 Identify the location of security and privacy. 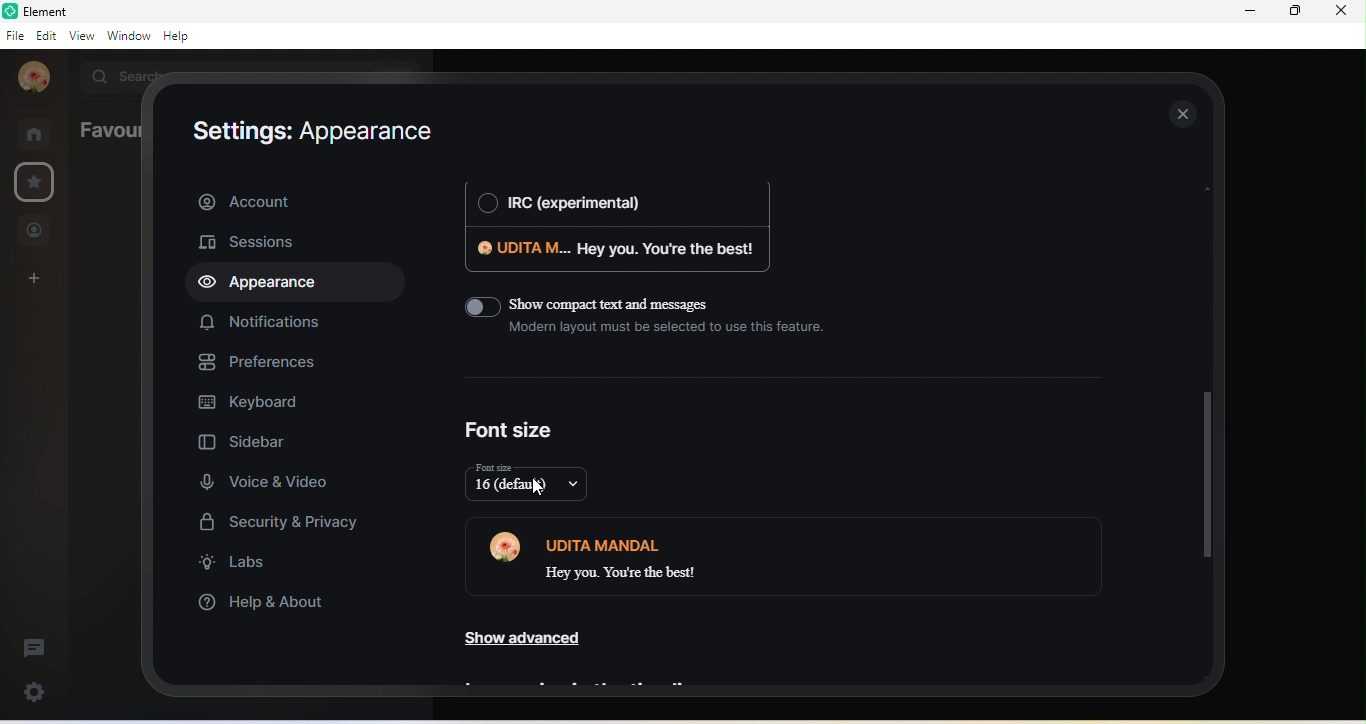
(277, 523).